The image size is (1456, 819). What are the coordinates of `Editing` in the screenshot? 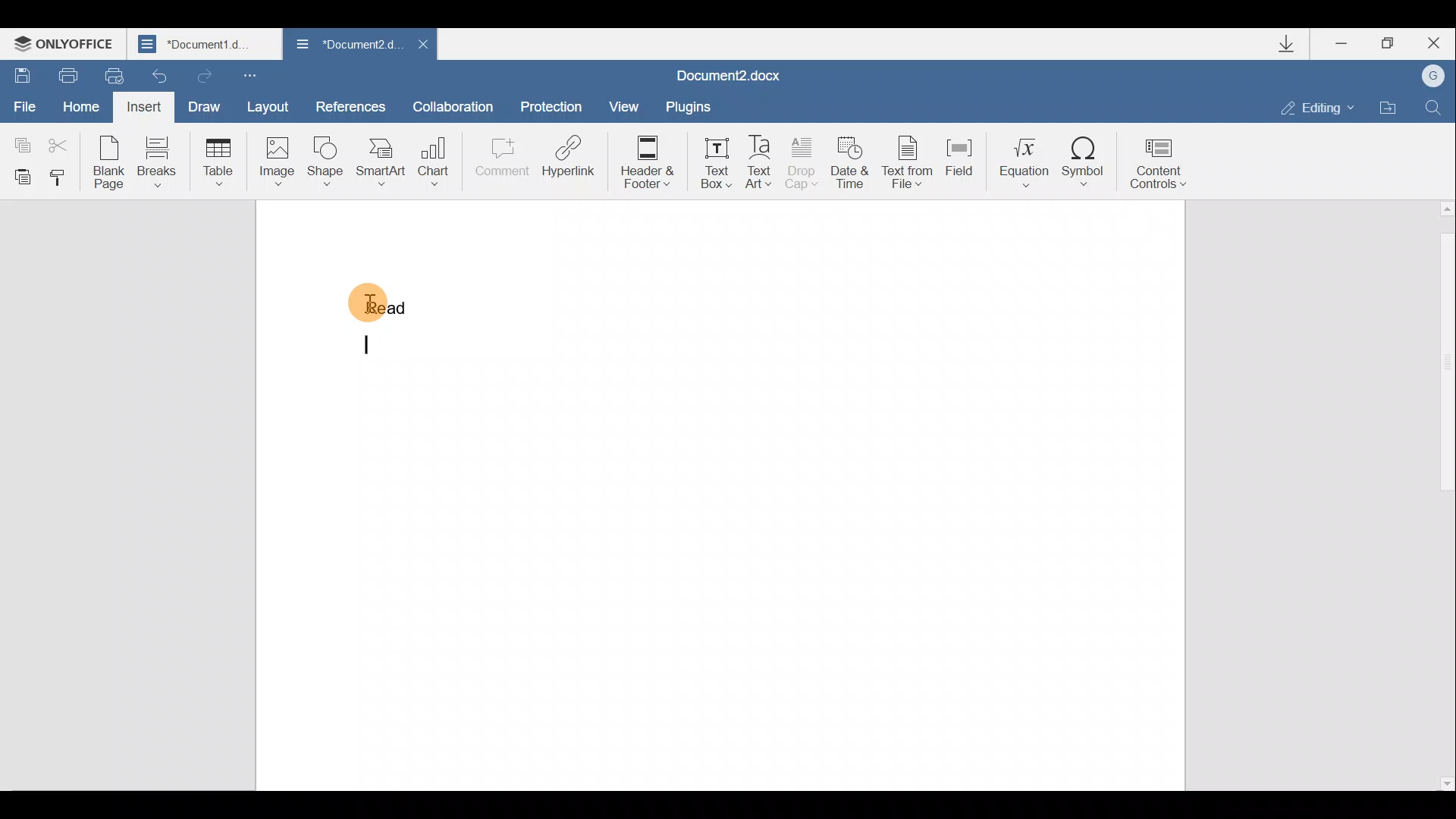 It's located at (1323, 108).